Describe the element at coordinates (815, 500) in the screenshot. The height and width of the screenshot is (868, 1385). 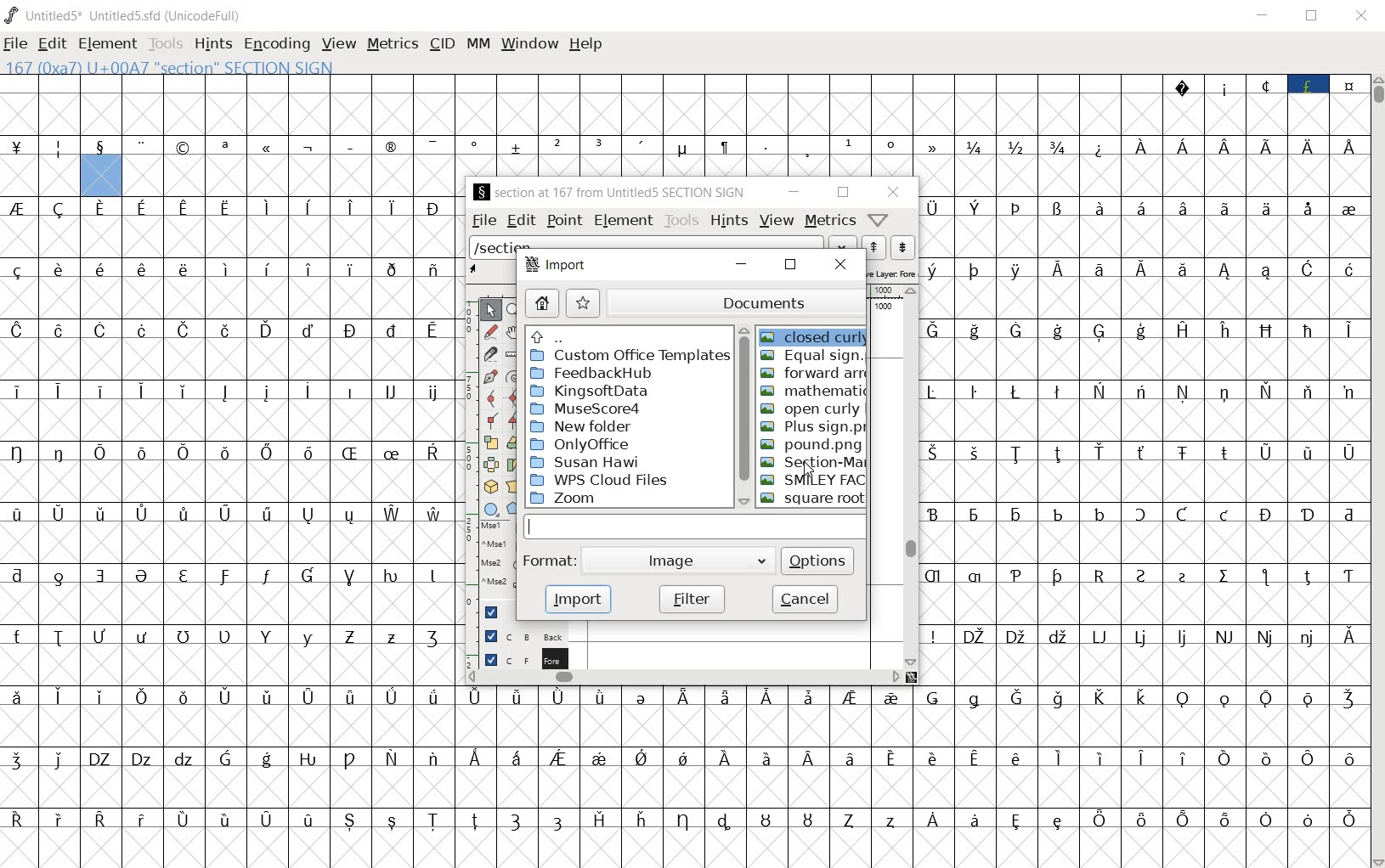
I see `SQUARE ROOT` at that location.